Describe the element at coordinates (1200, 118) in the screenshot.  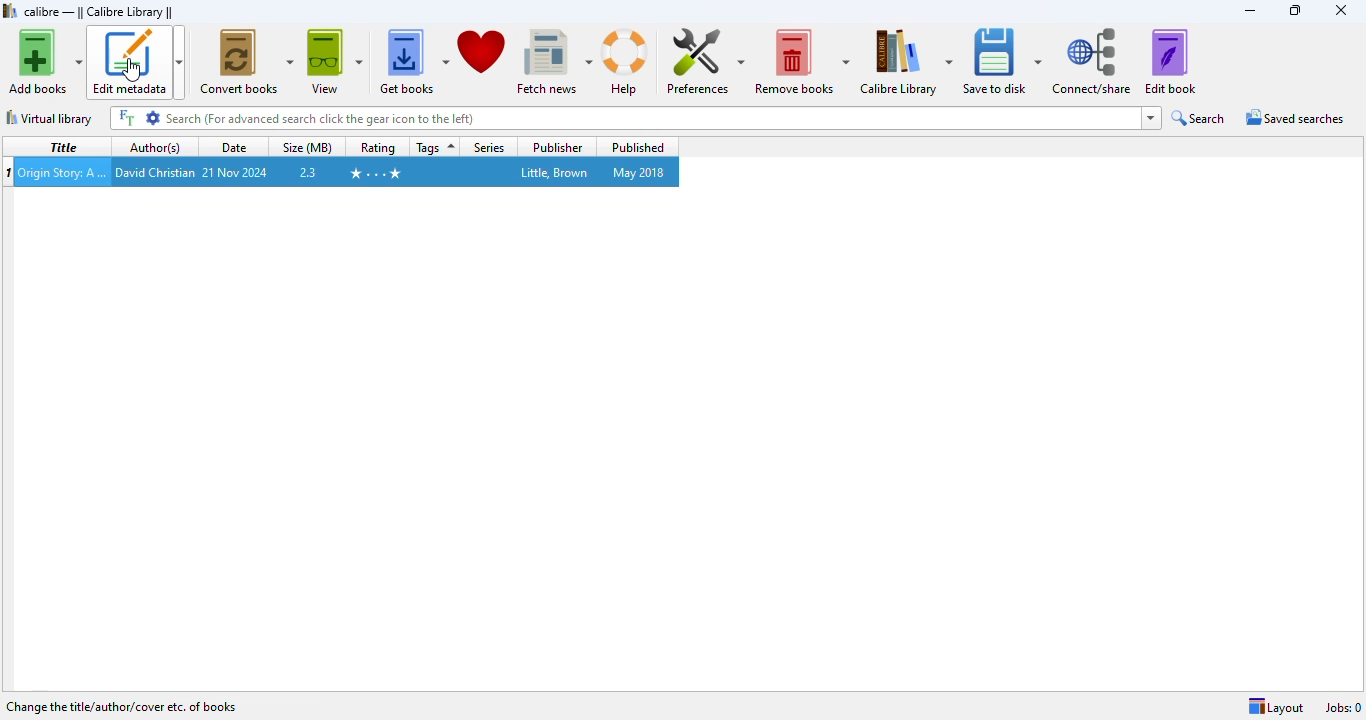
I see `search` at that location.